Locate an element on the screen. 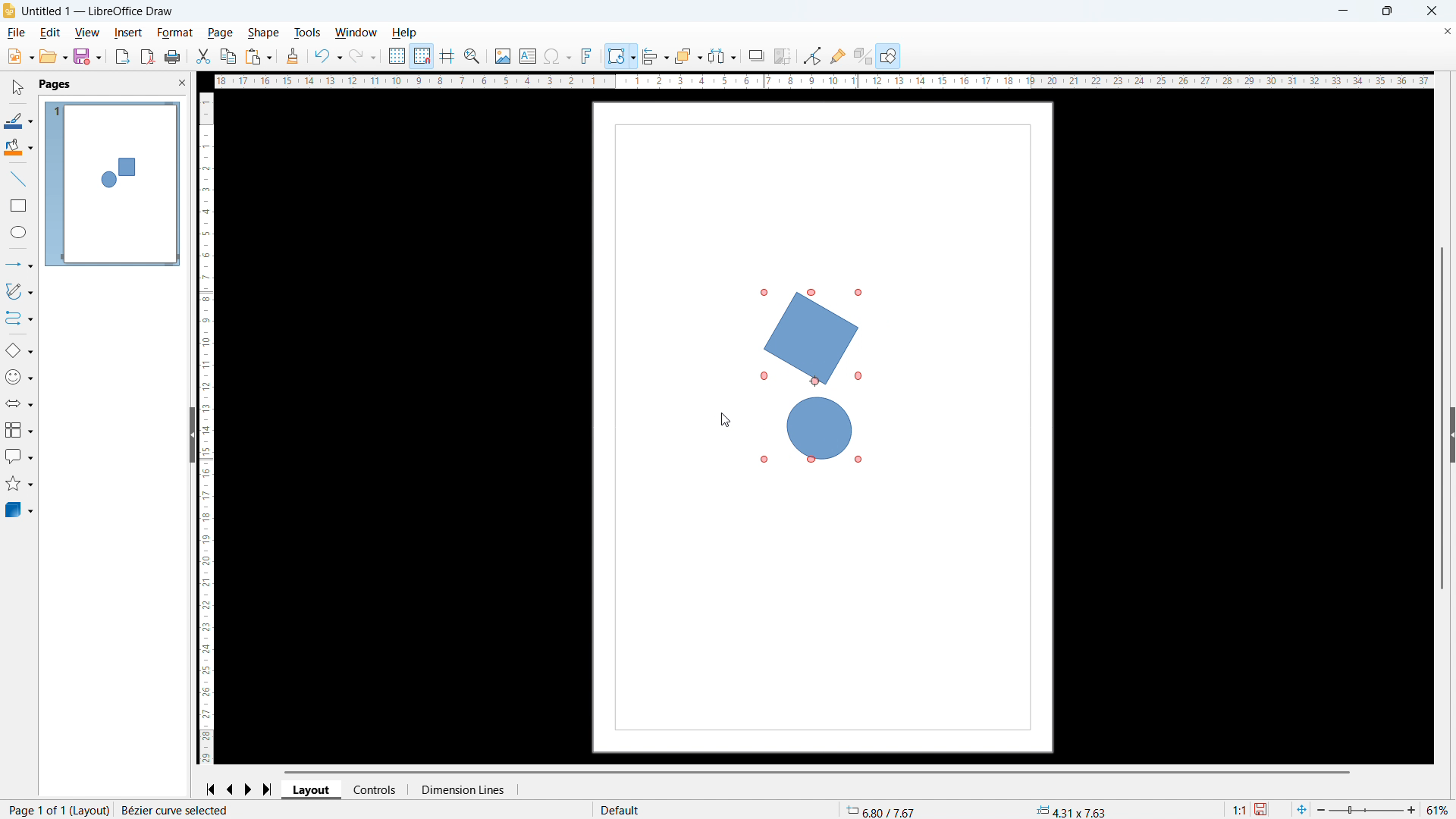  cut  is located at coordinates (203, 56).